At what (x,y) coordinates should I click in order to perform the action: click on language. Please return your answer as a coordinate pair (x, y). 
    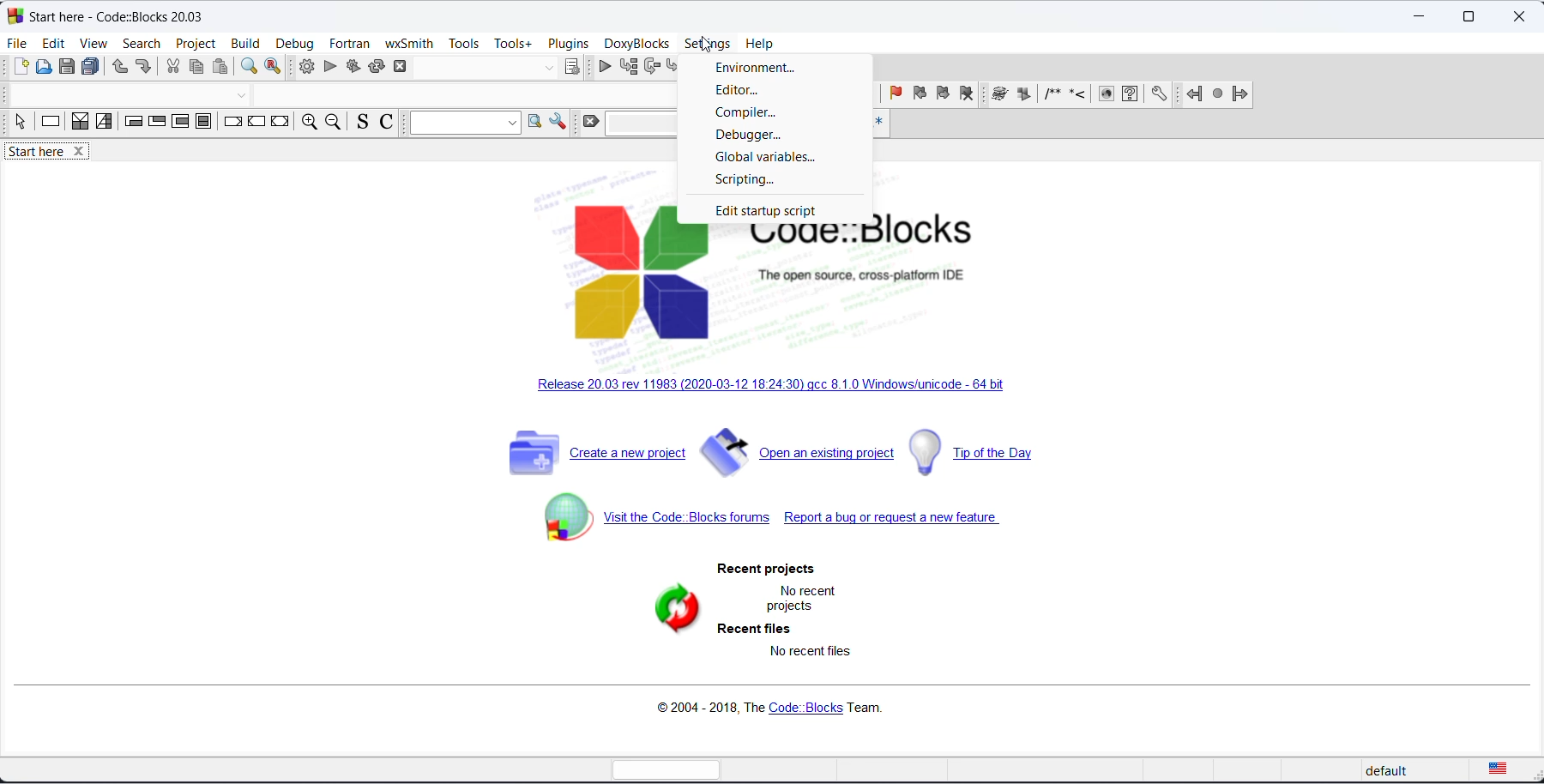
    Looking at the image, I should click on (1495, 769).